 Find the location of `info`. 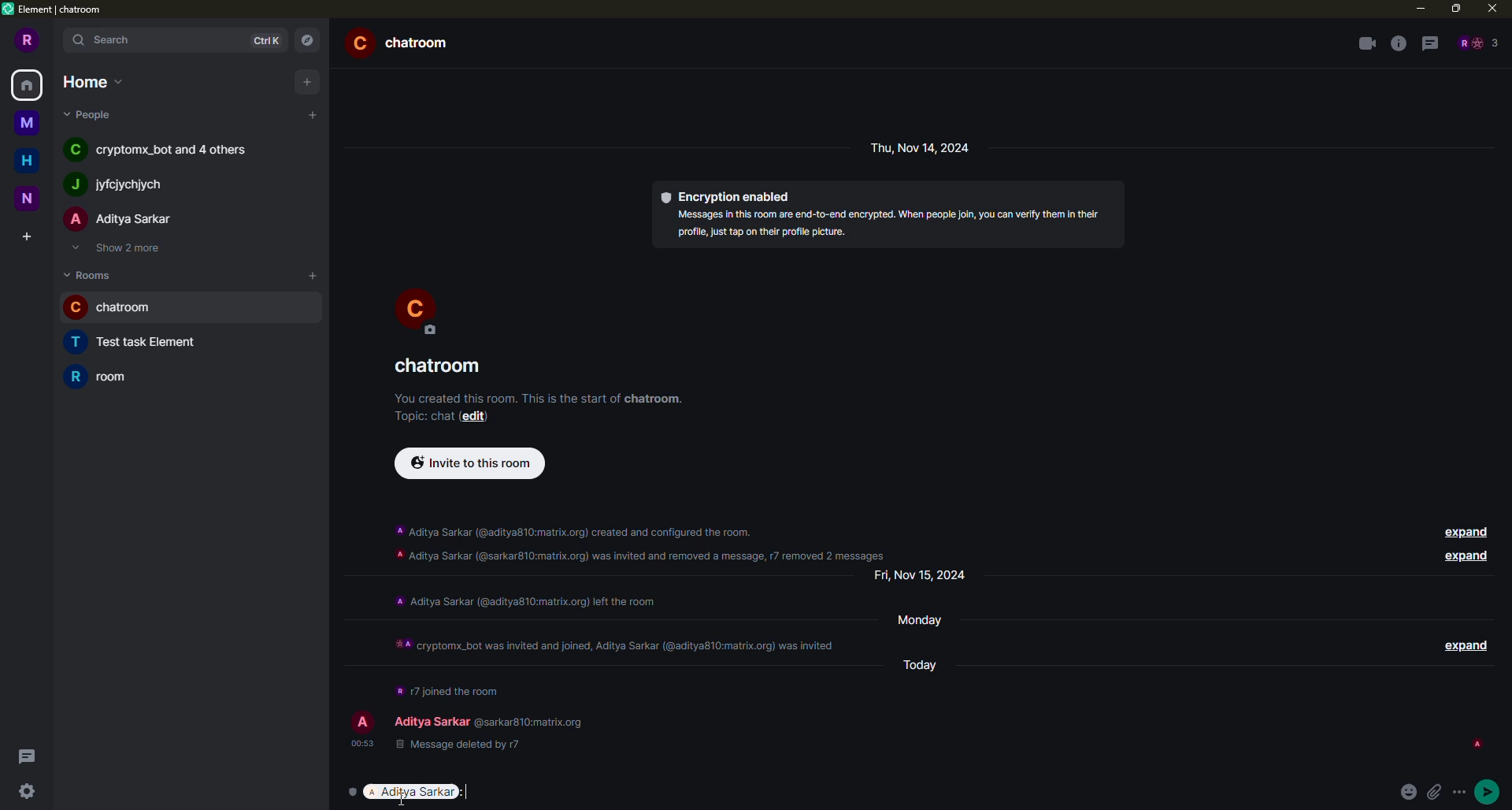

info is located at coordinates (617, 639).